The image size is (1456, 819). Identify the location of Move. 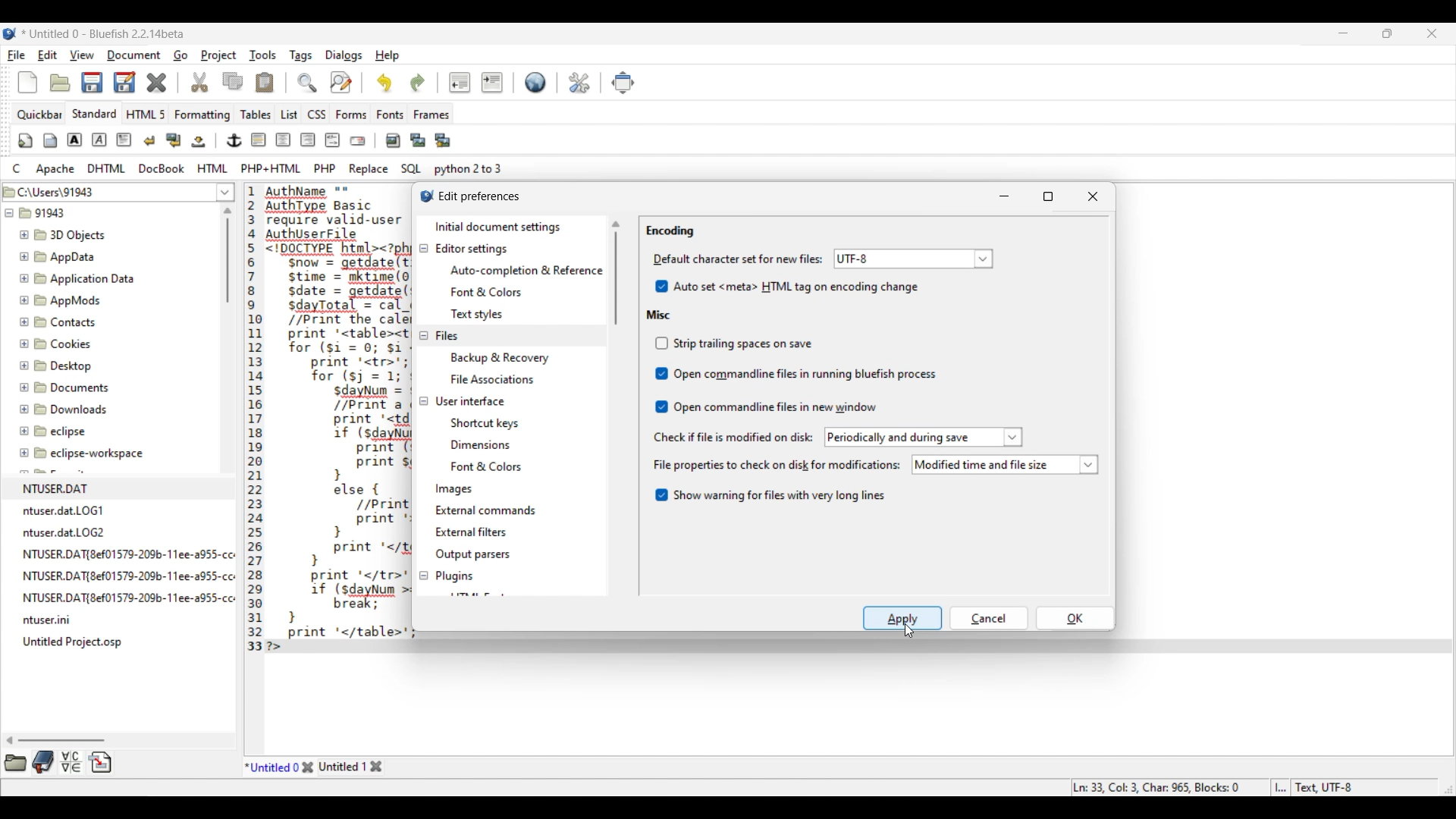
(623, 83).